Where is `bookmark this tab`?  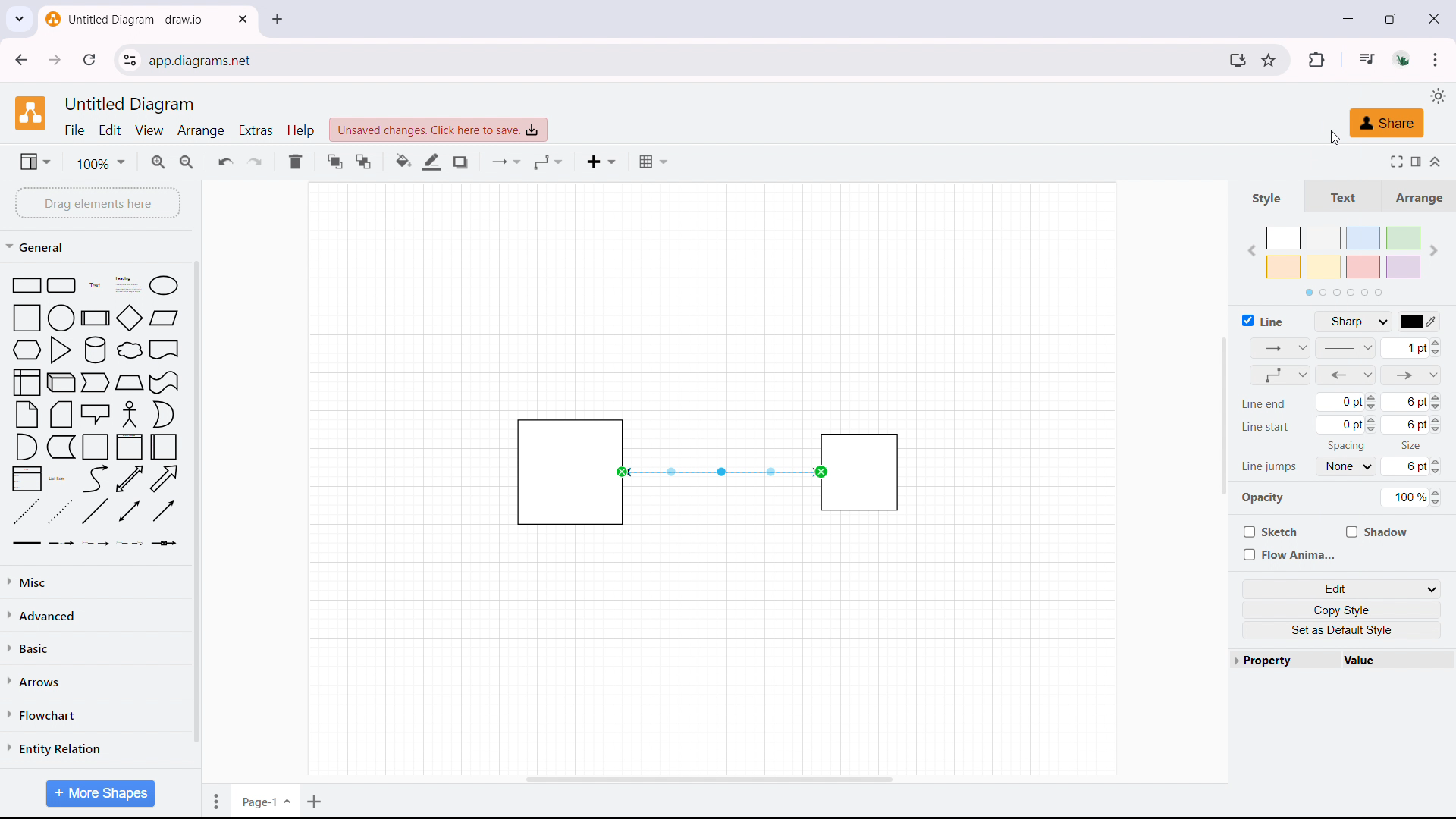 bookmark this tab is located at coordinates (1268, 60).